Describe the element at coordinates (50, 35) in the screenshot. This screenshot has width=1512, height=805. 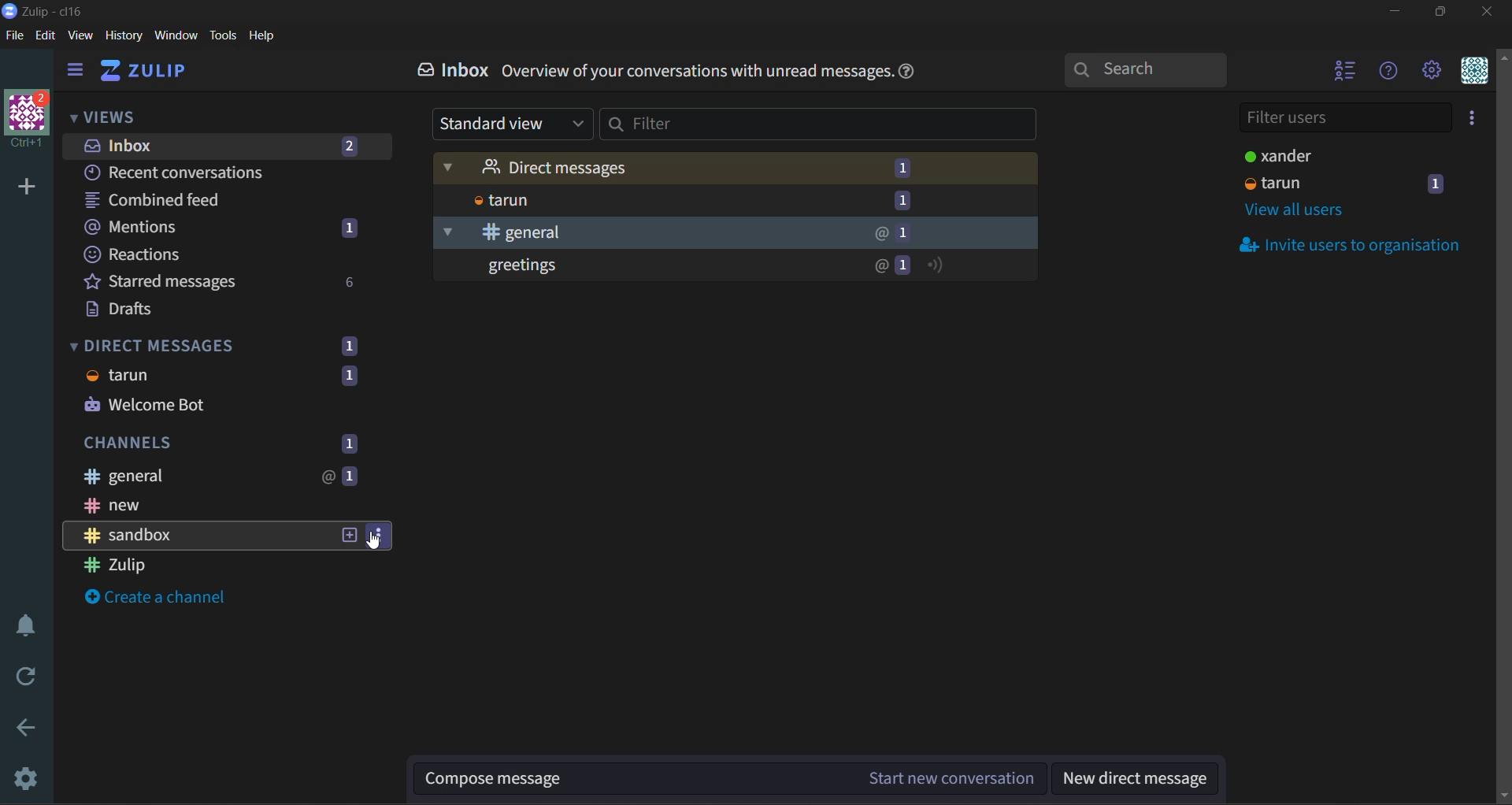
I see `edit` at that location.